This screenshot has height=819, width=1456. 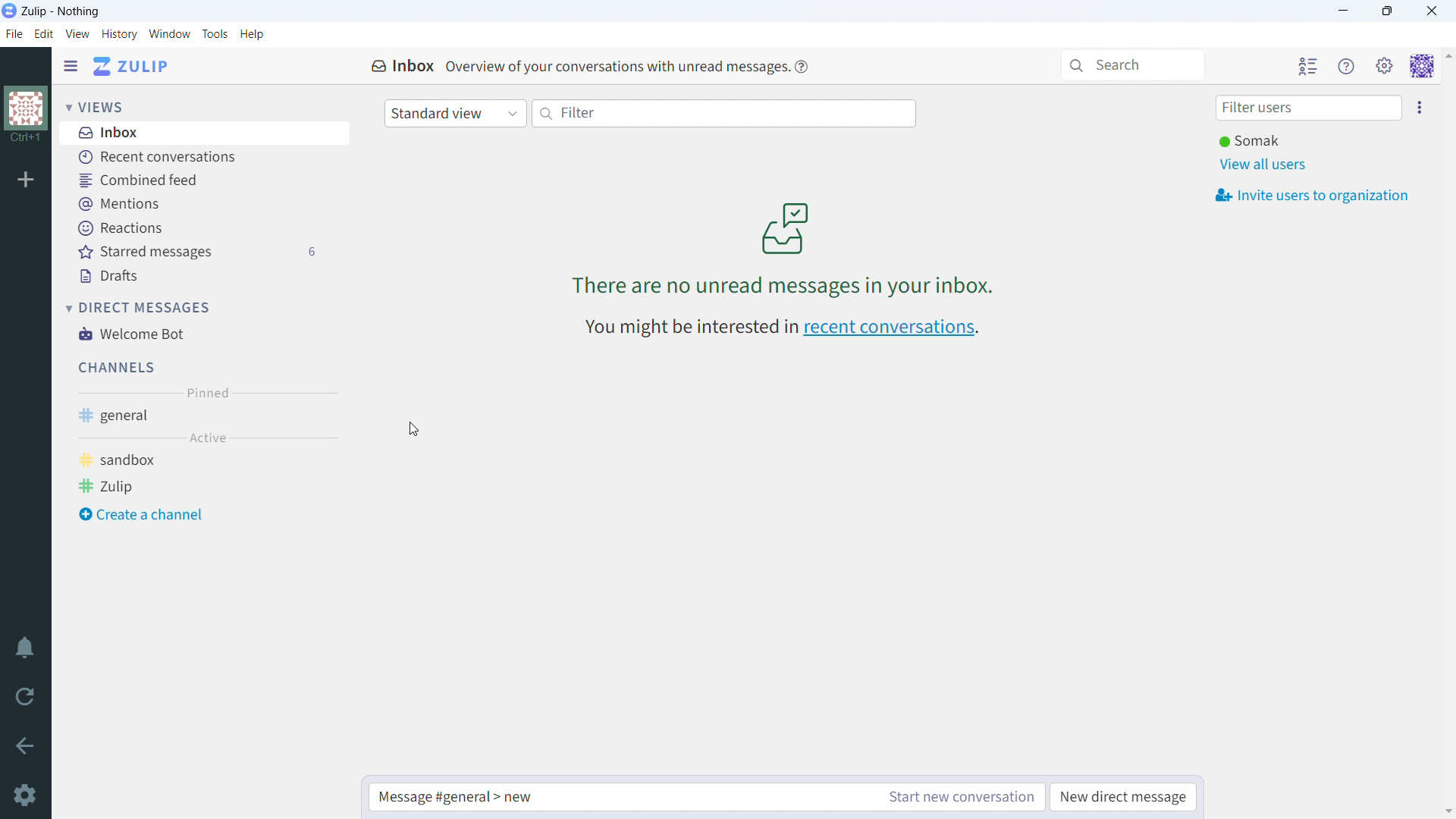 What do you see at coordinates (193, 158) in the screenshot?
I see `recent conversations` at bounding box center [193, 158].